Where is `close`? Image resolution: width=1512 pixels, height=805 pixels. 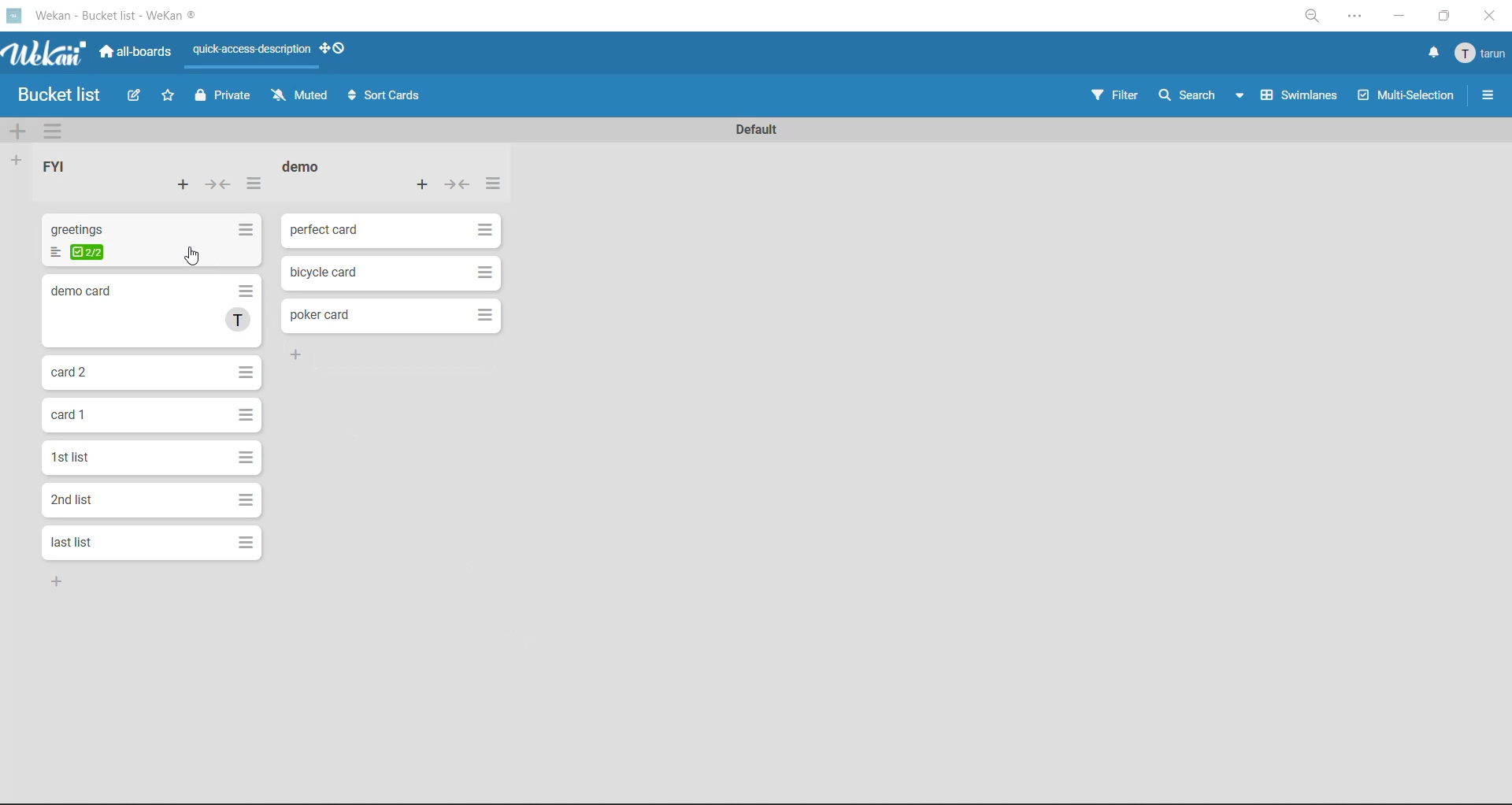 close is located at coordinates (1492, 14).